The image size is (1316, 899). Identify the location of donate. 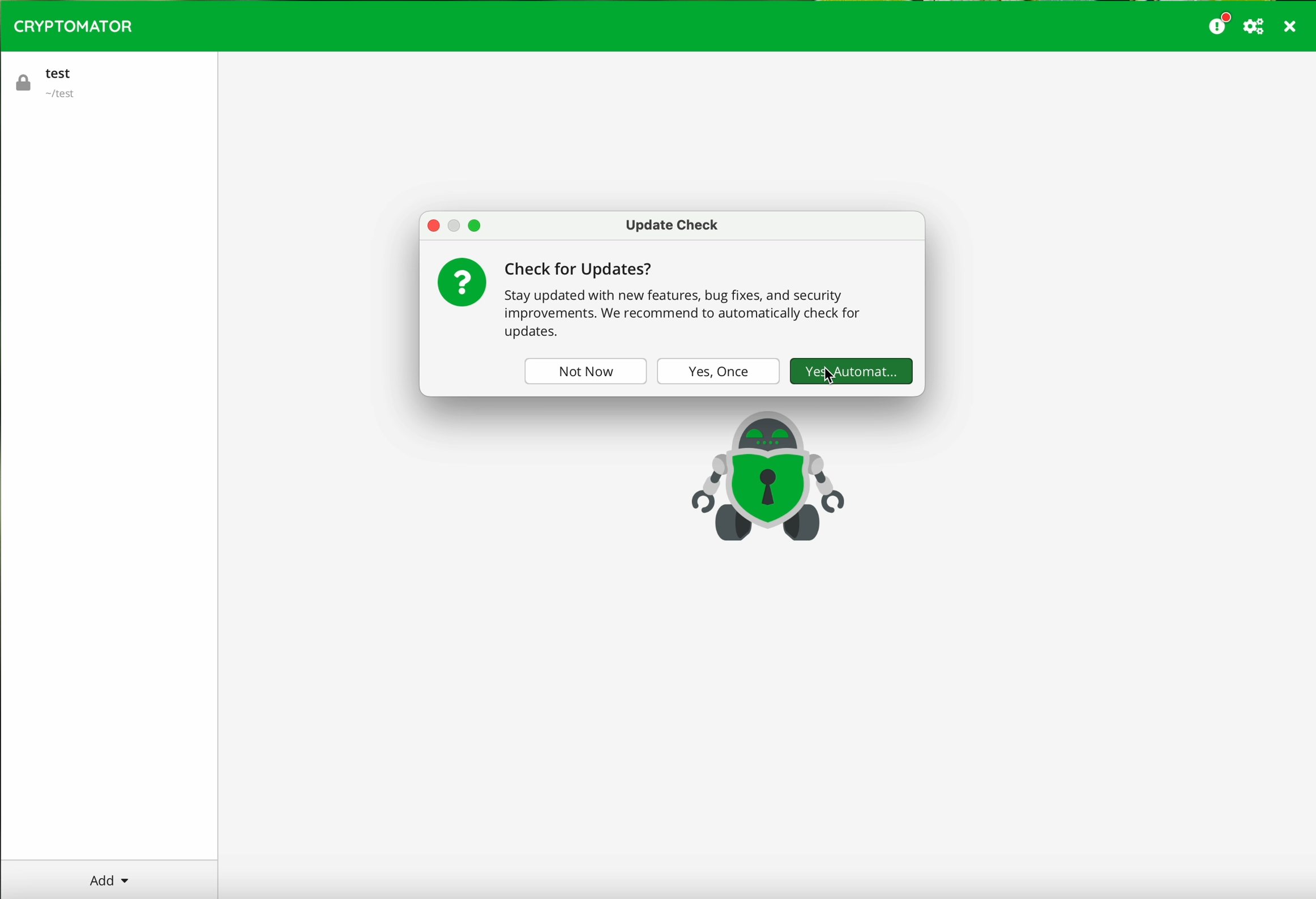
(1220, 23).